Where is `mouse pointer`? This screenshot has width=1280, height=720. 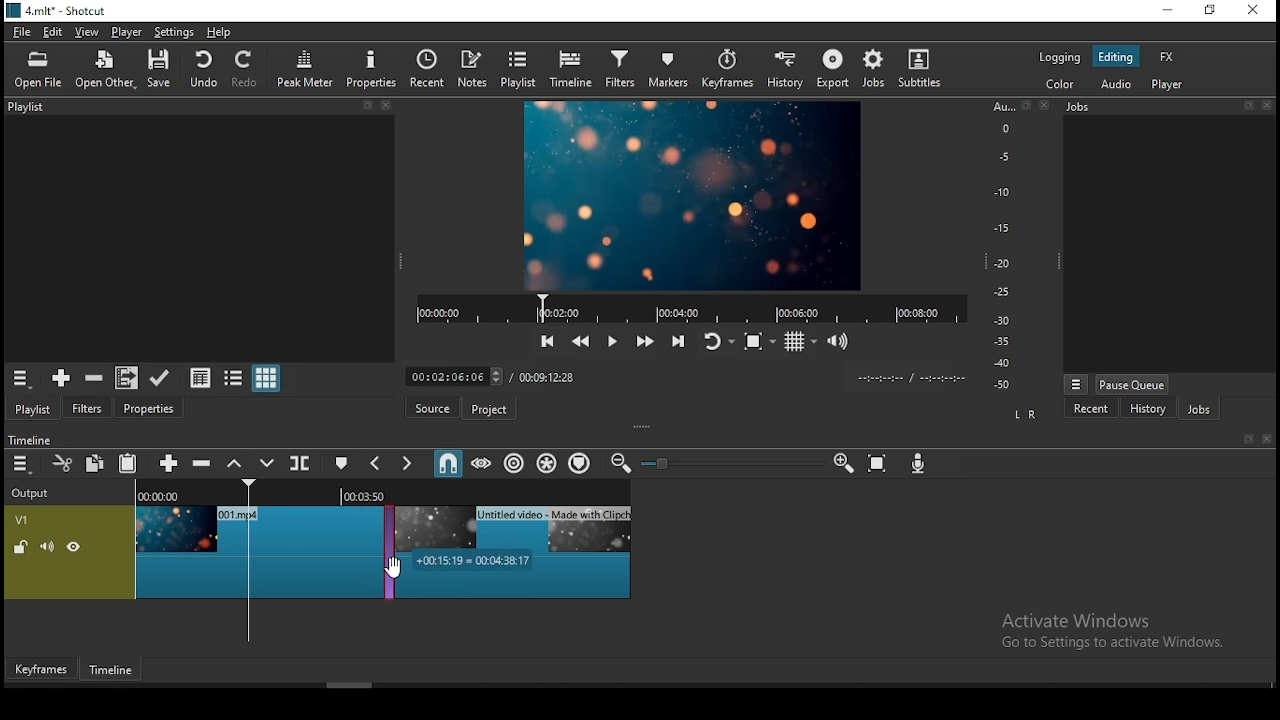
mouse pointer is located at coordinates (396, 570).